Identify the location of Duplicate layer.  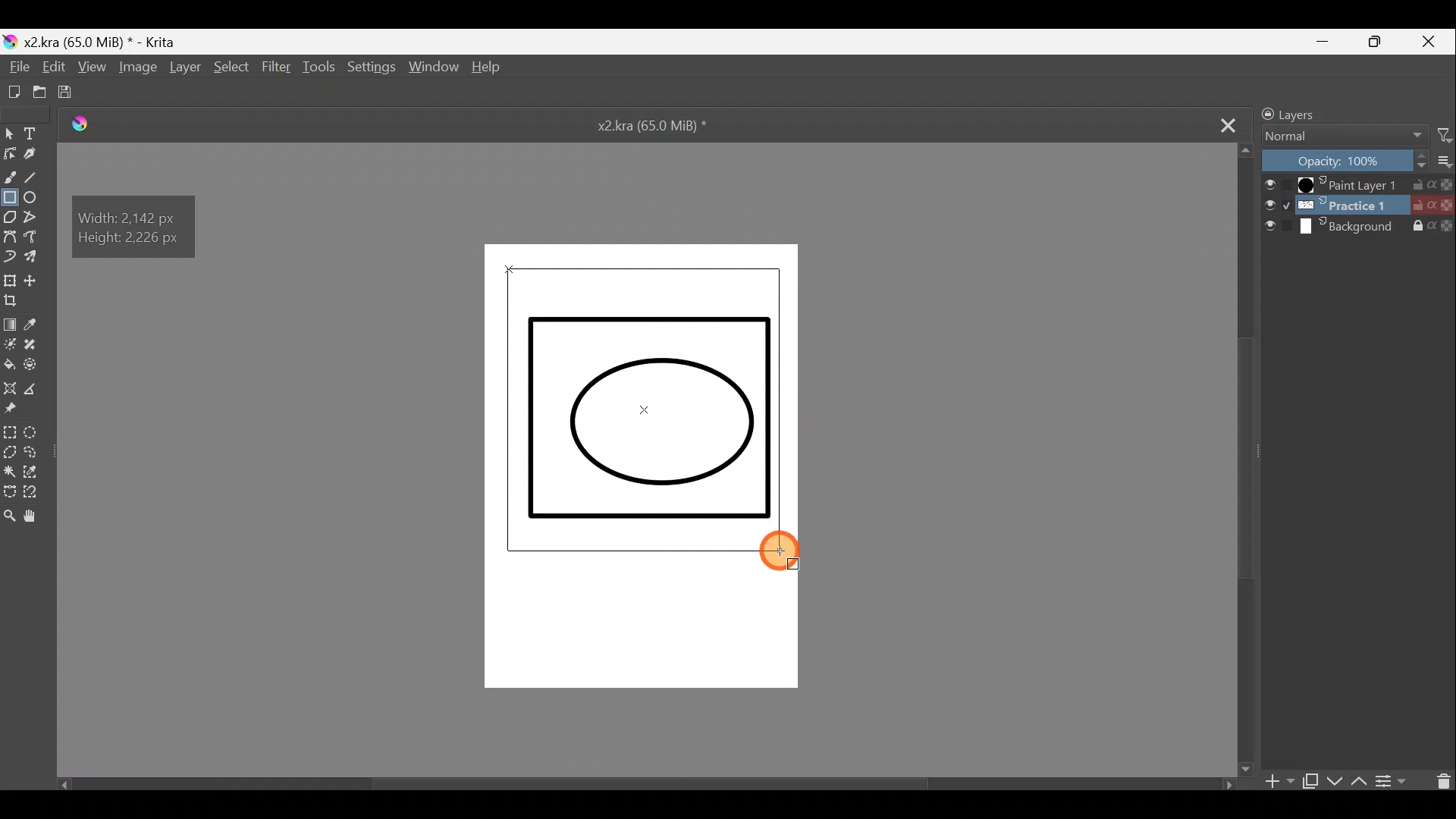
(1310, 784).